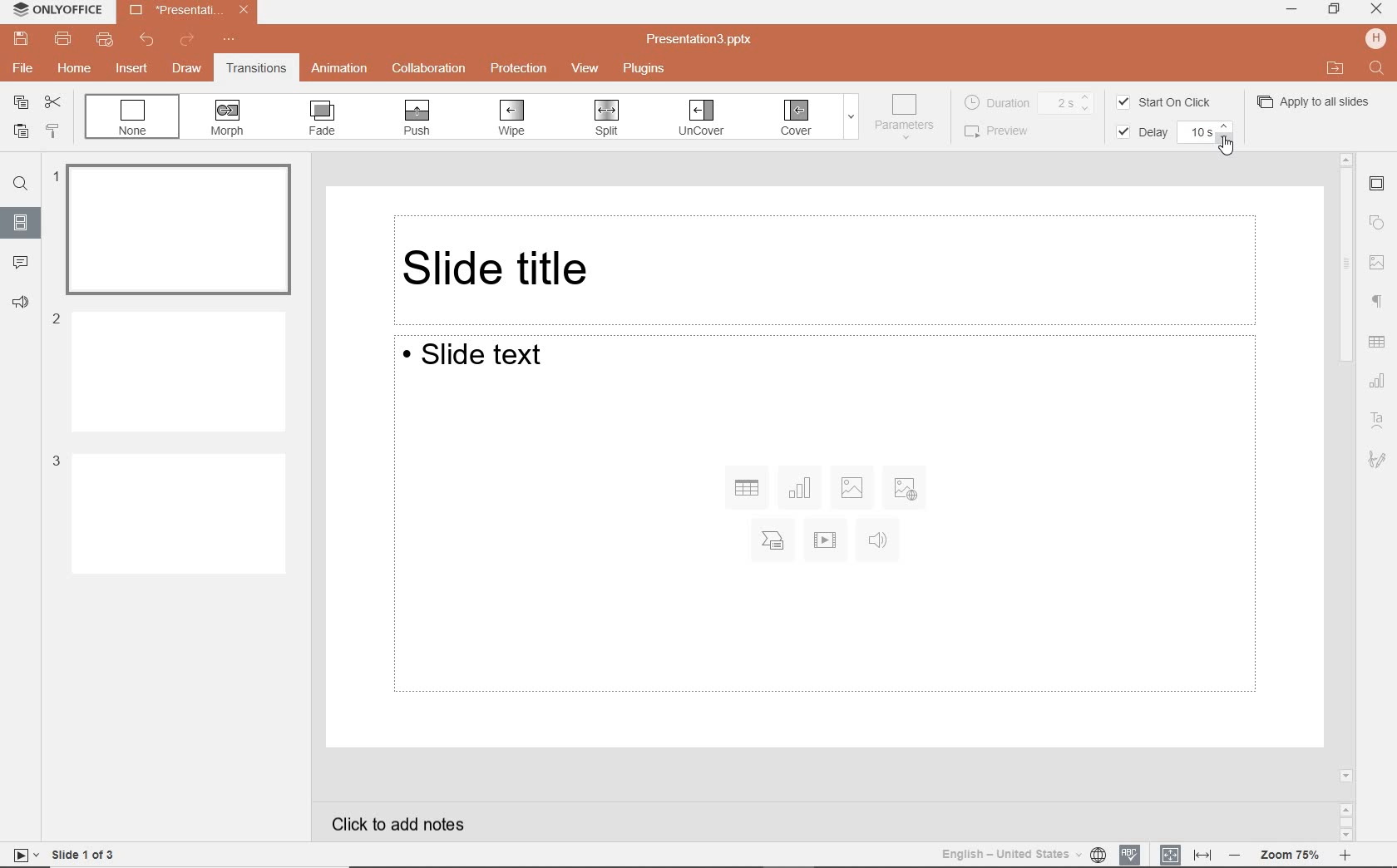  I want to click on redo, so click(189, 41).